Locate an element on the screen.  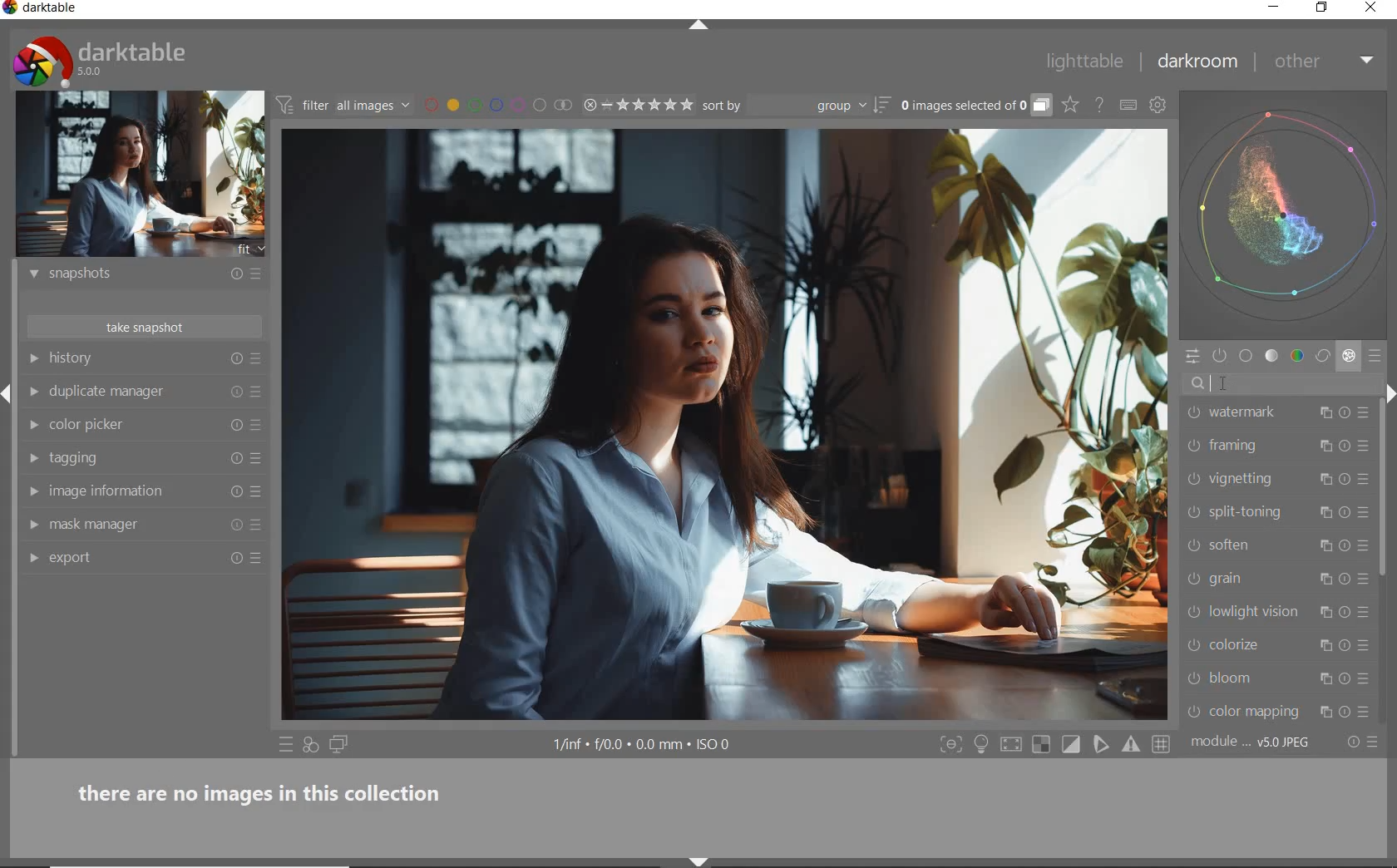
'split-toning' is switched off is located at coordinates (1194, 512).